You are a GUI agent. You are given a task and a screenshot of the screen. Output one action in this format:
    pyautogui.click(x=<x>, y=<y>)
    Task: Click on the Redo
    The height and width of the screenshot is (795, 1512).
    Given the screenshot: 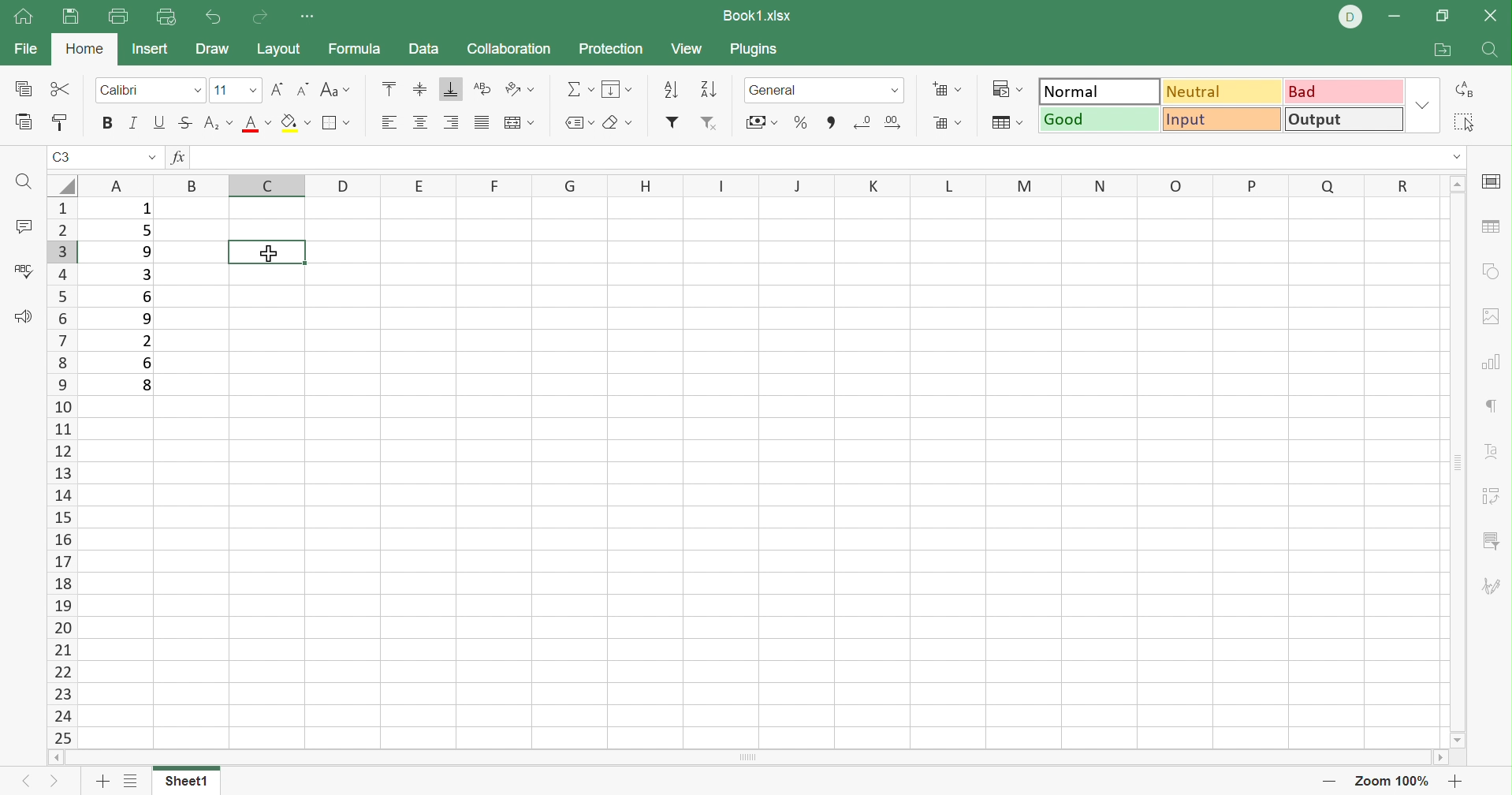 What is the action you would take?
    pyautogui.click(x=257, y=17)
    